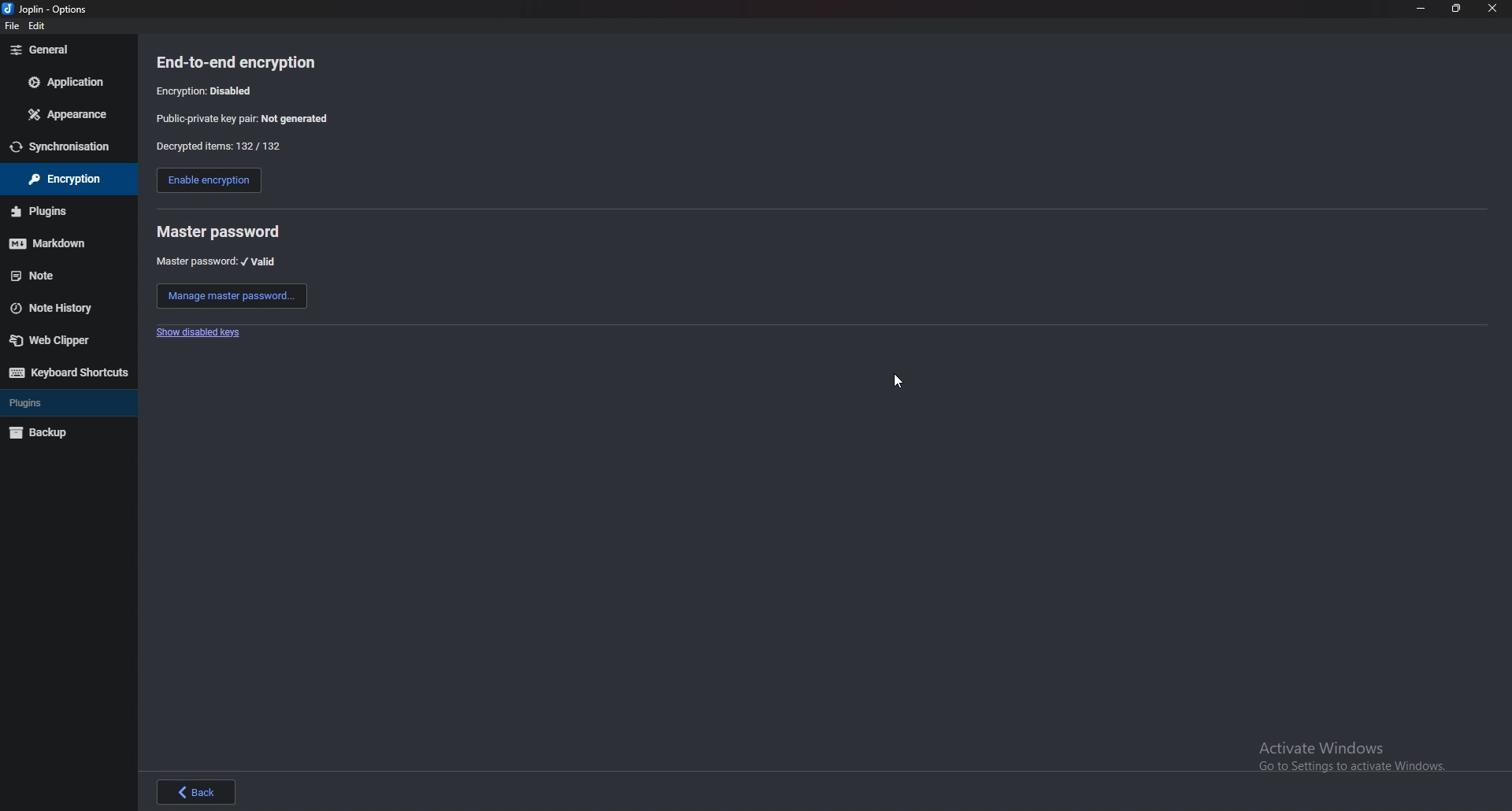 The height and width of the screenshot is (811, 1512). Describe the element at coordinates (40, 25) in the screenshot. I see `edit` at that location.